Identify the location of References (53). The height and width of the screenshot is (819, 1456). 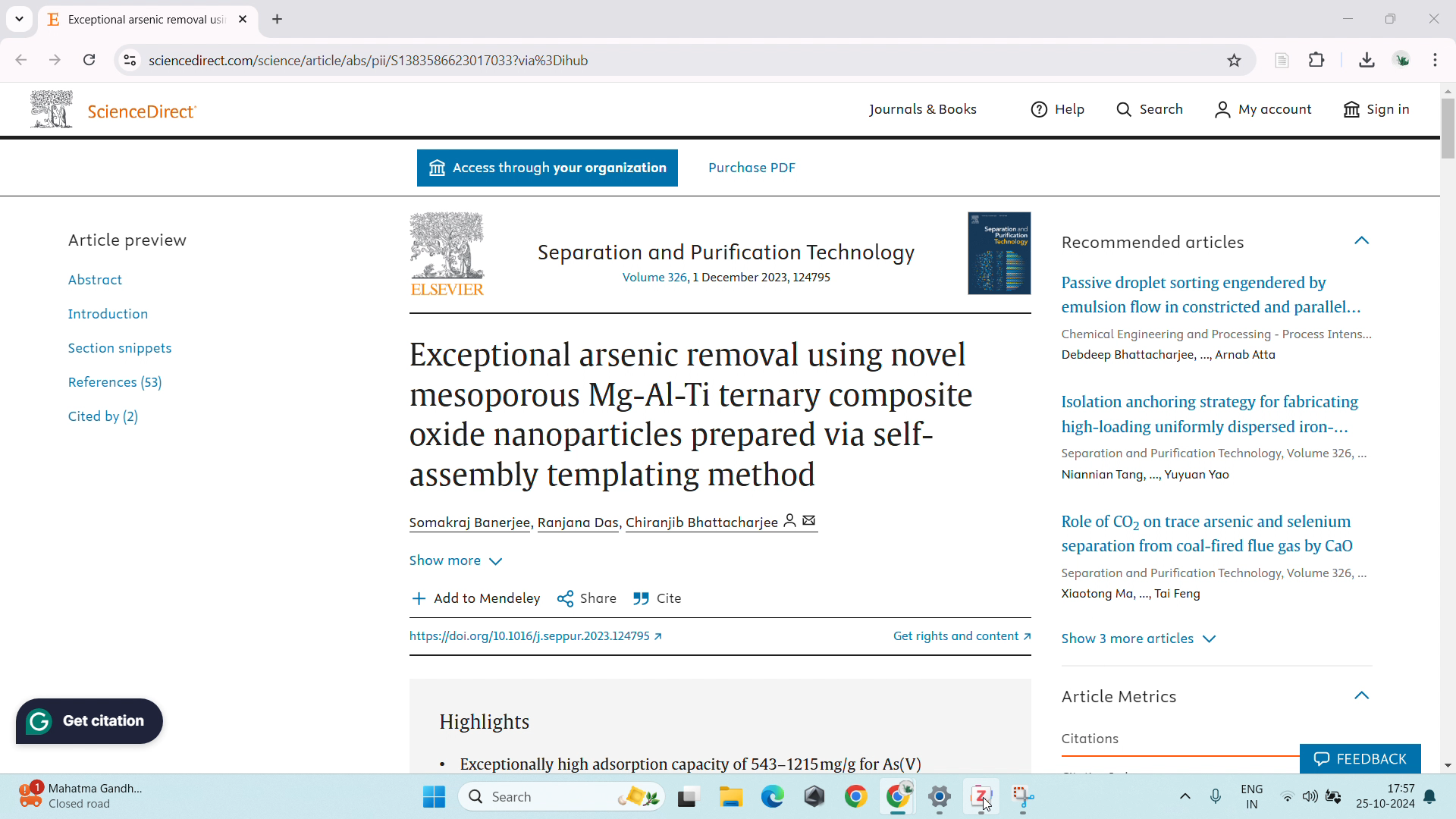
(120, 380).